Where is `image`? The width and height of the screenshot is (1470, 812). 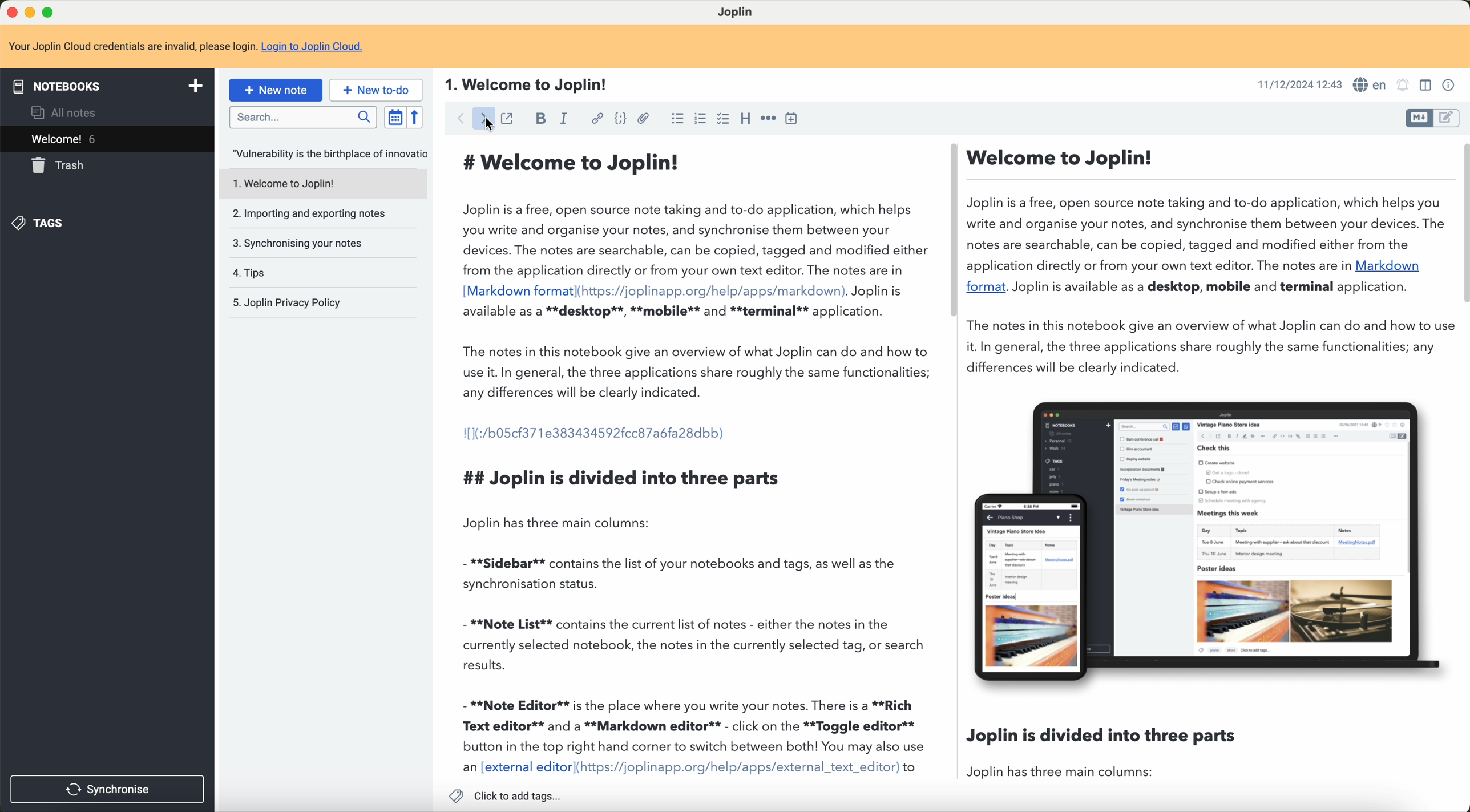
image is located at coordinates (1208, 541).